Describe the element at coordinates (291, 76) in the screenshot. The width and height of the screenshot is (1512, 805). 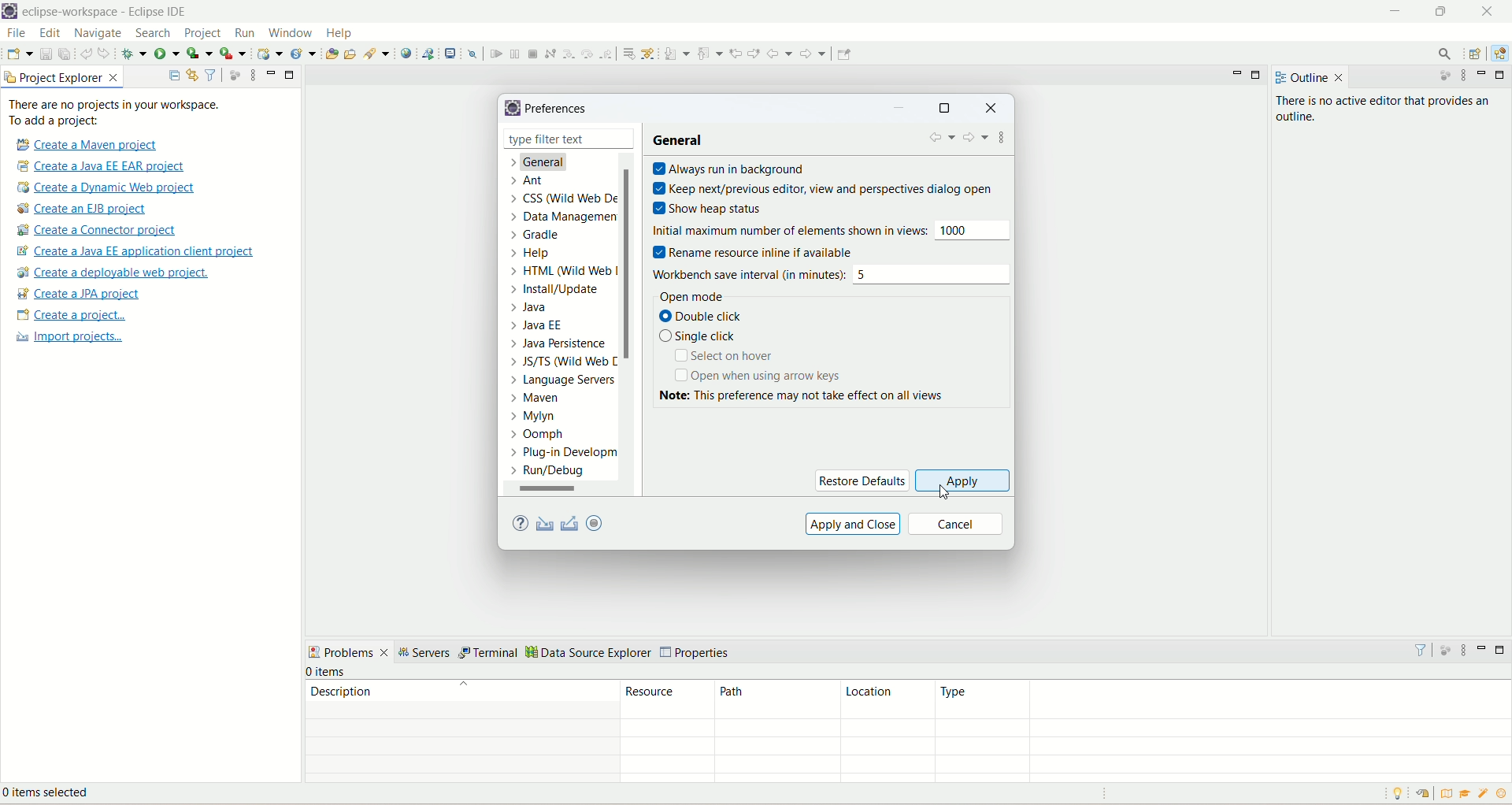
I see `maximize` at that location.